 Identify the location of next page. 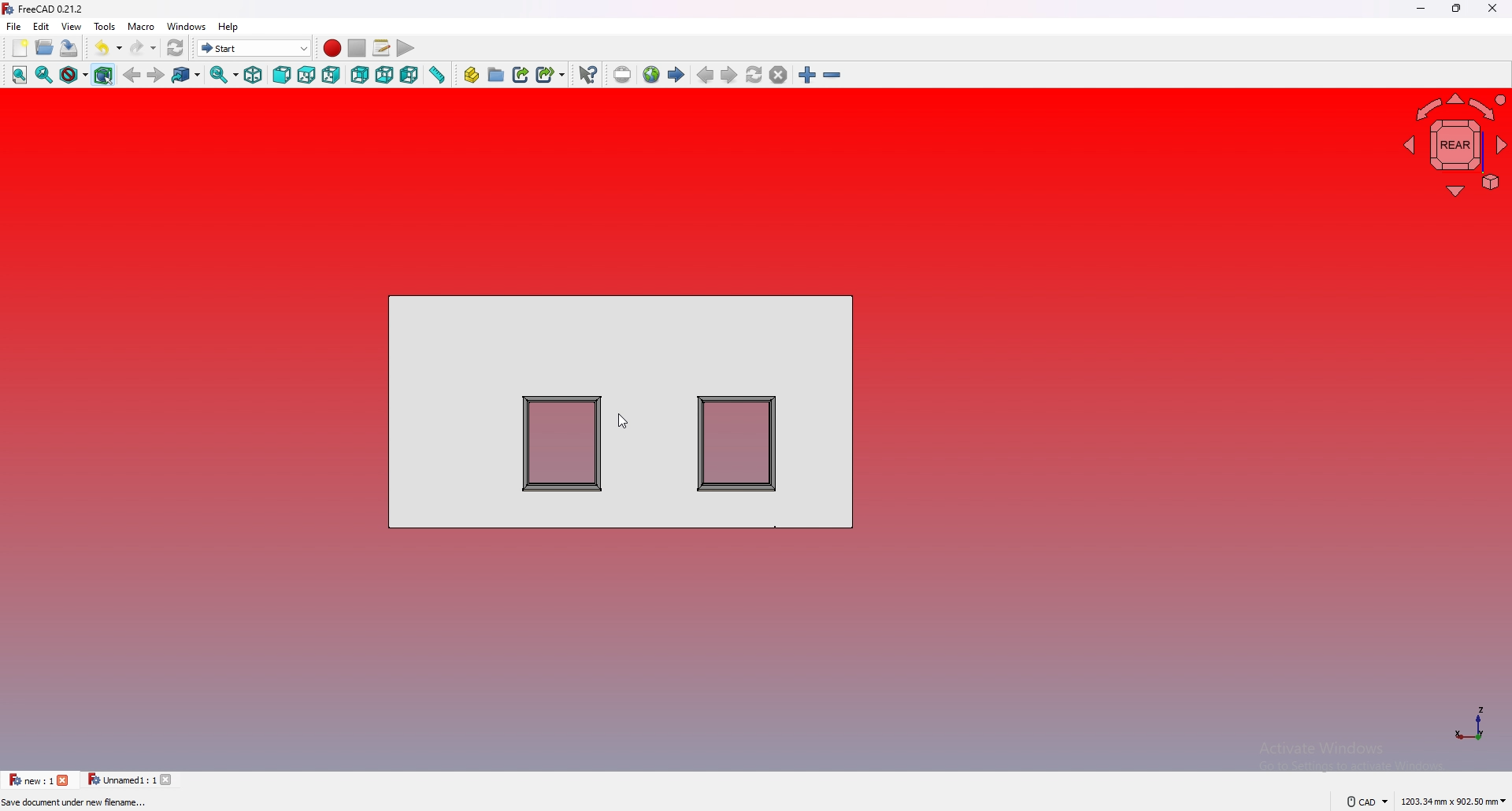
(728, 75).